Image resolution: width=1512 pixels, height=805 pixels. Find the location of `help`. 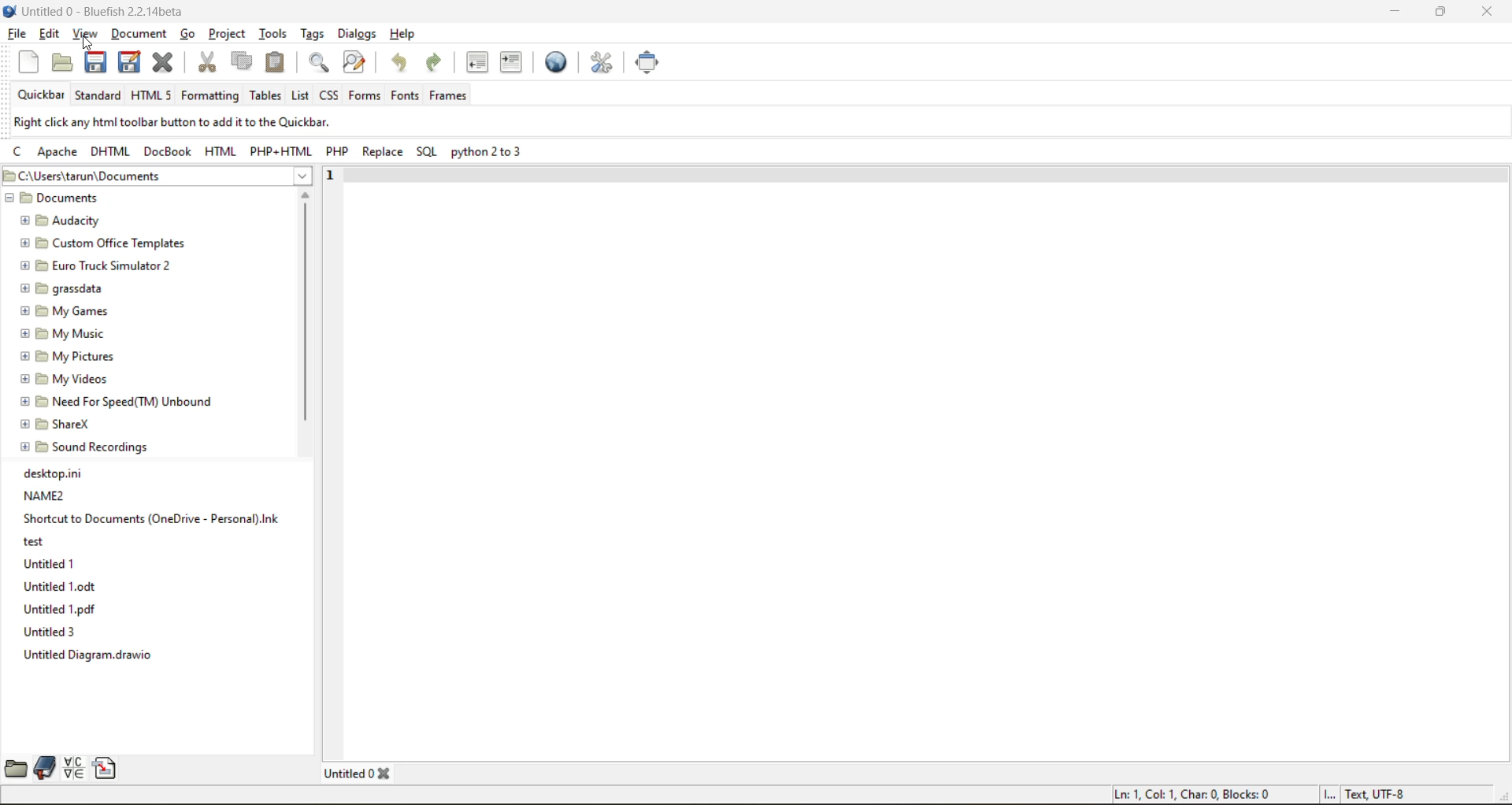

help is located at coordinates (402, 34).